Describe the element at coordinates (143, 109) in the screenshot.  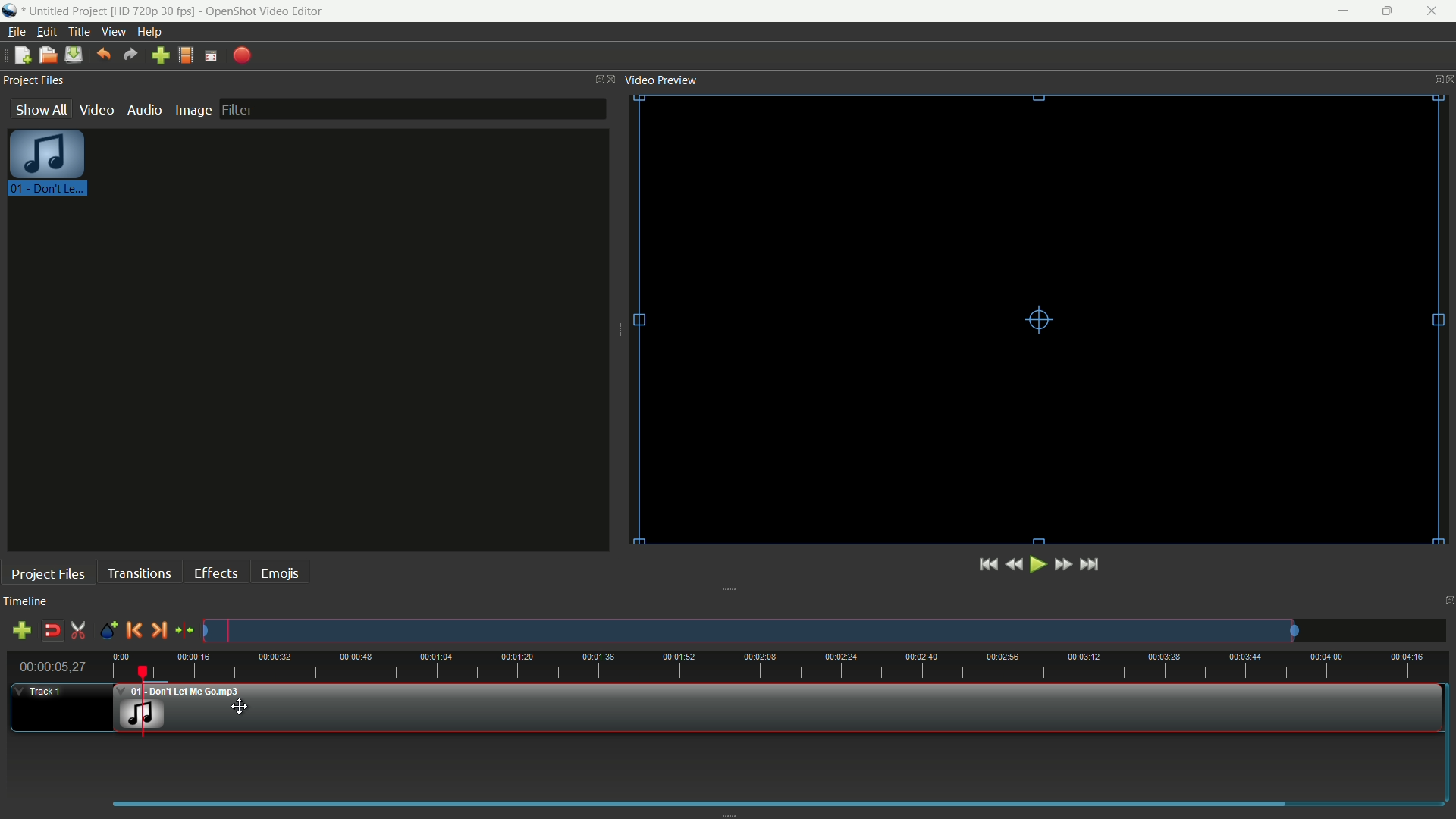
I see `audio` at that location.